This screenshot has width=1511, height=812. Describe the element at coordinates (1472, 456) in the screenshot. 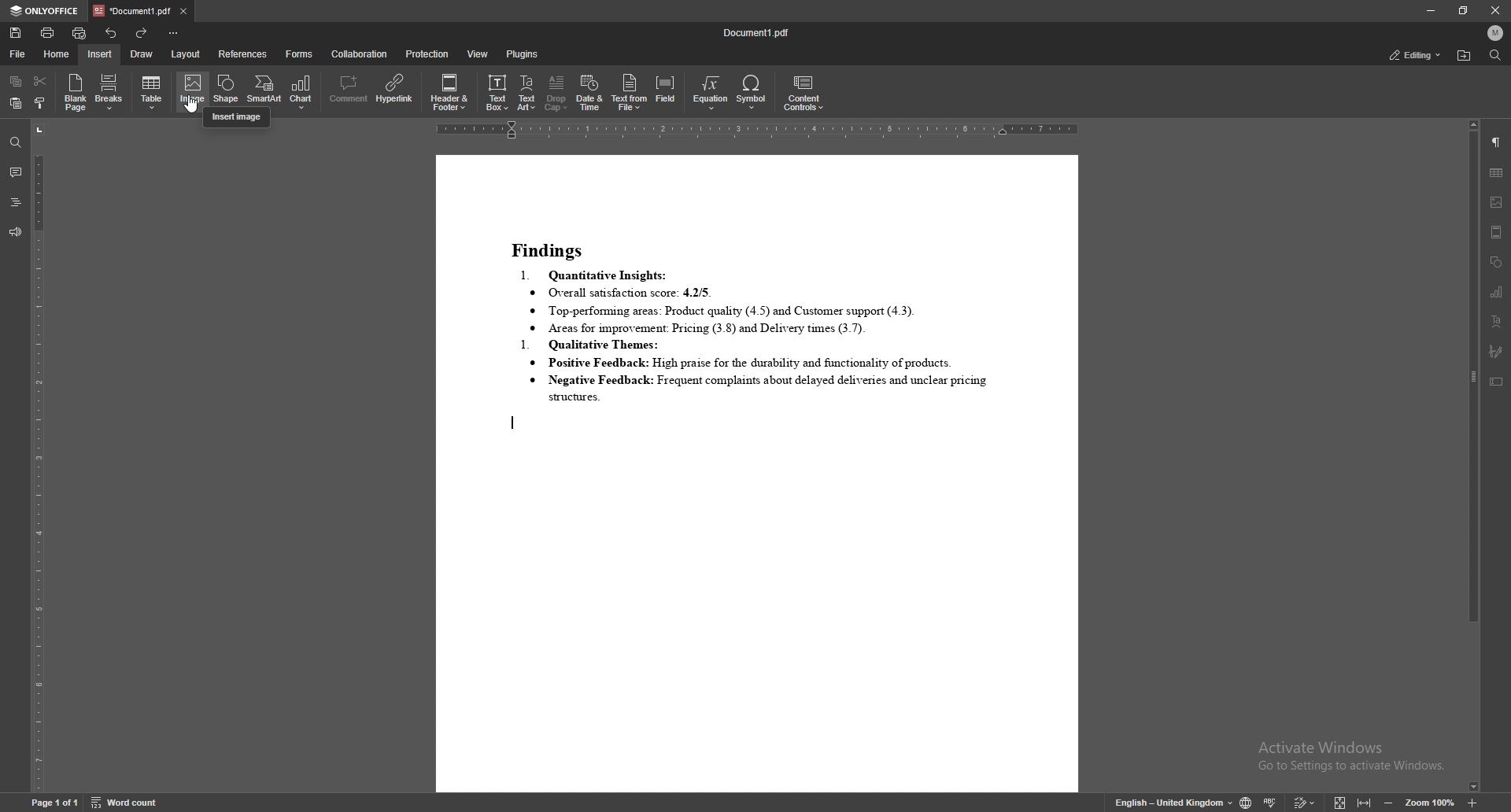

I see `scroll bar` at that location.